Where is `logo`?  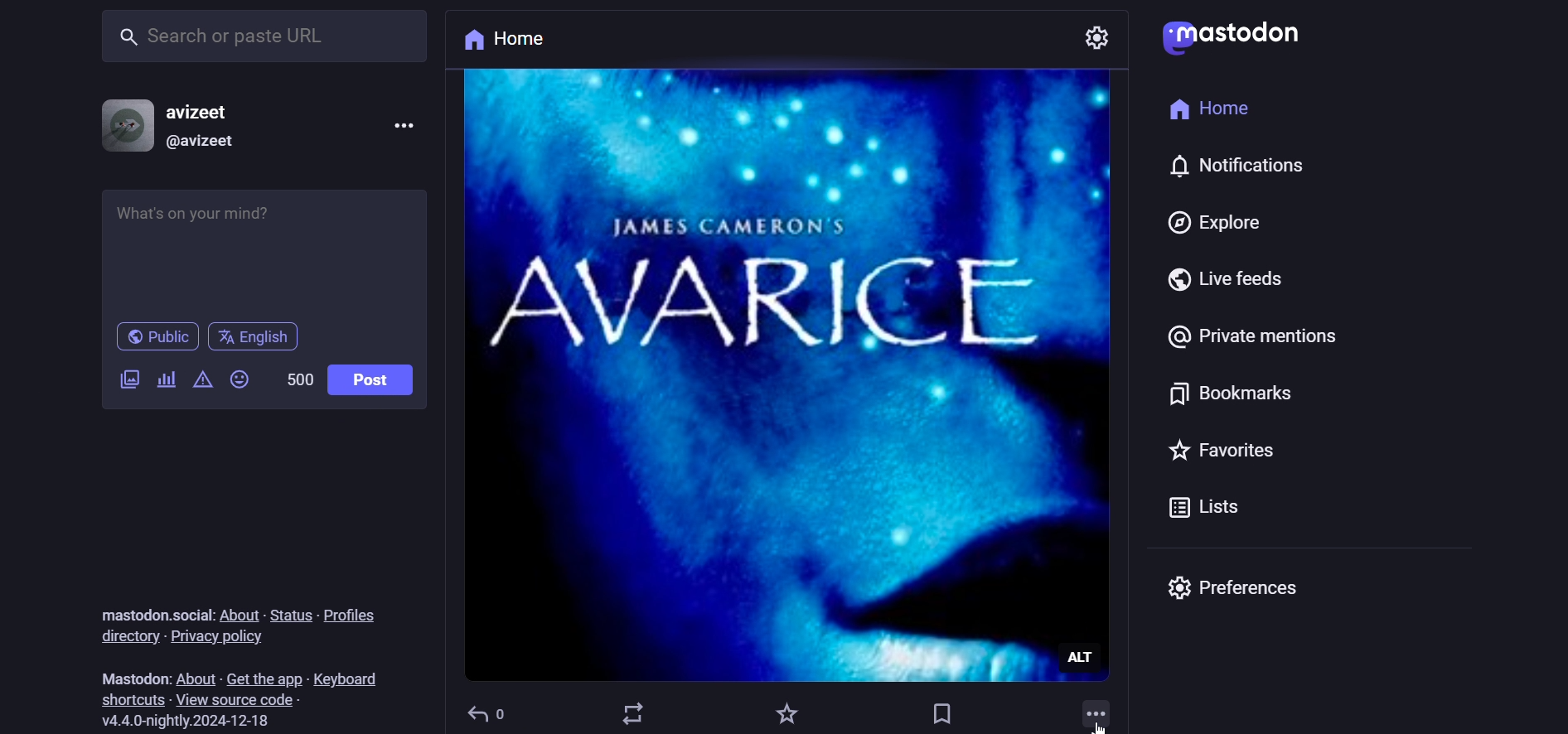
logo is located at coordinates (1235, 37).